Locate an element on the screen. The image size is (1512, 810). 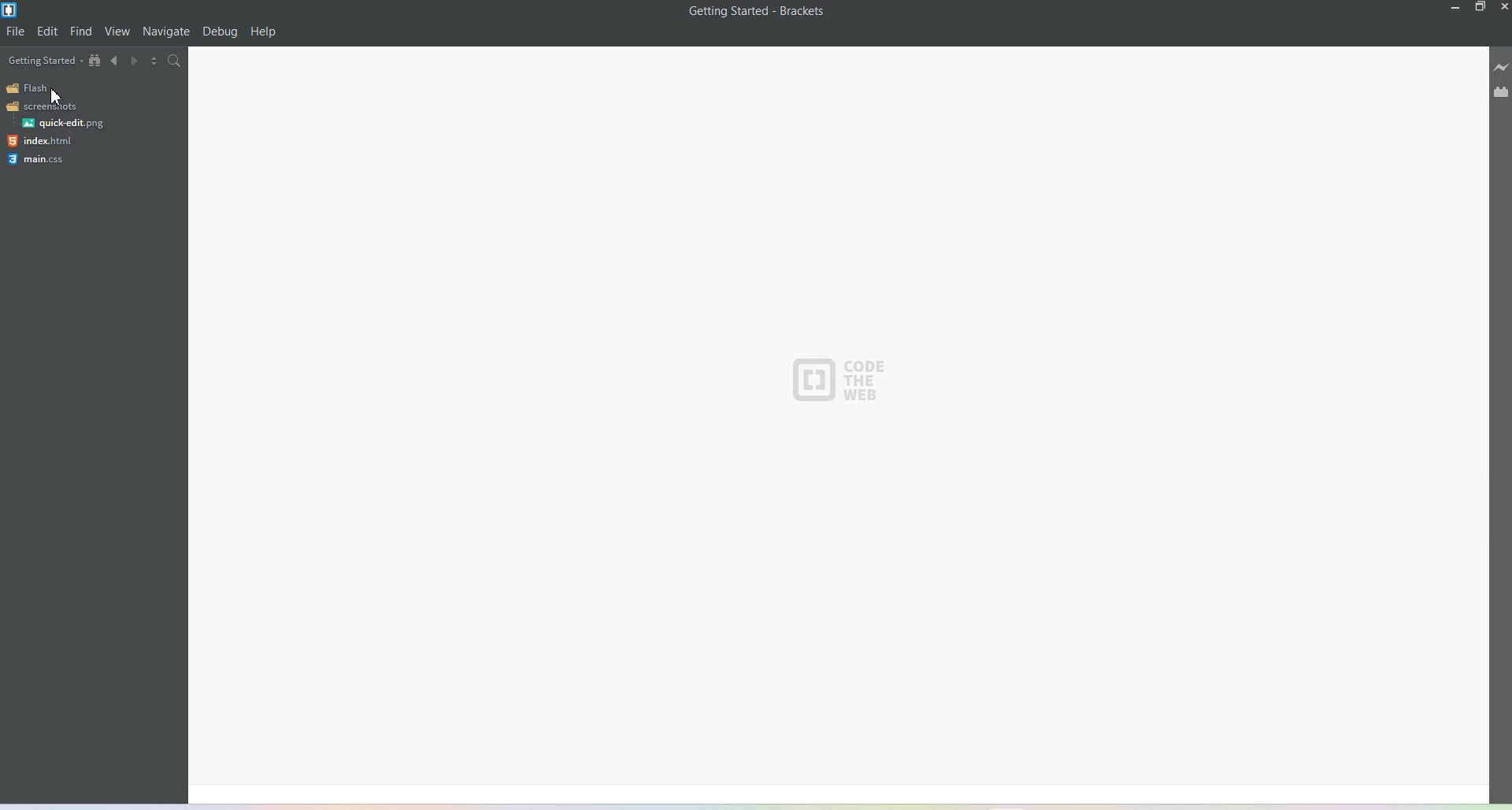
Text is located at coordinates (758, 11).